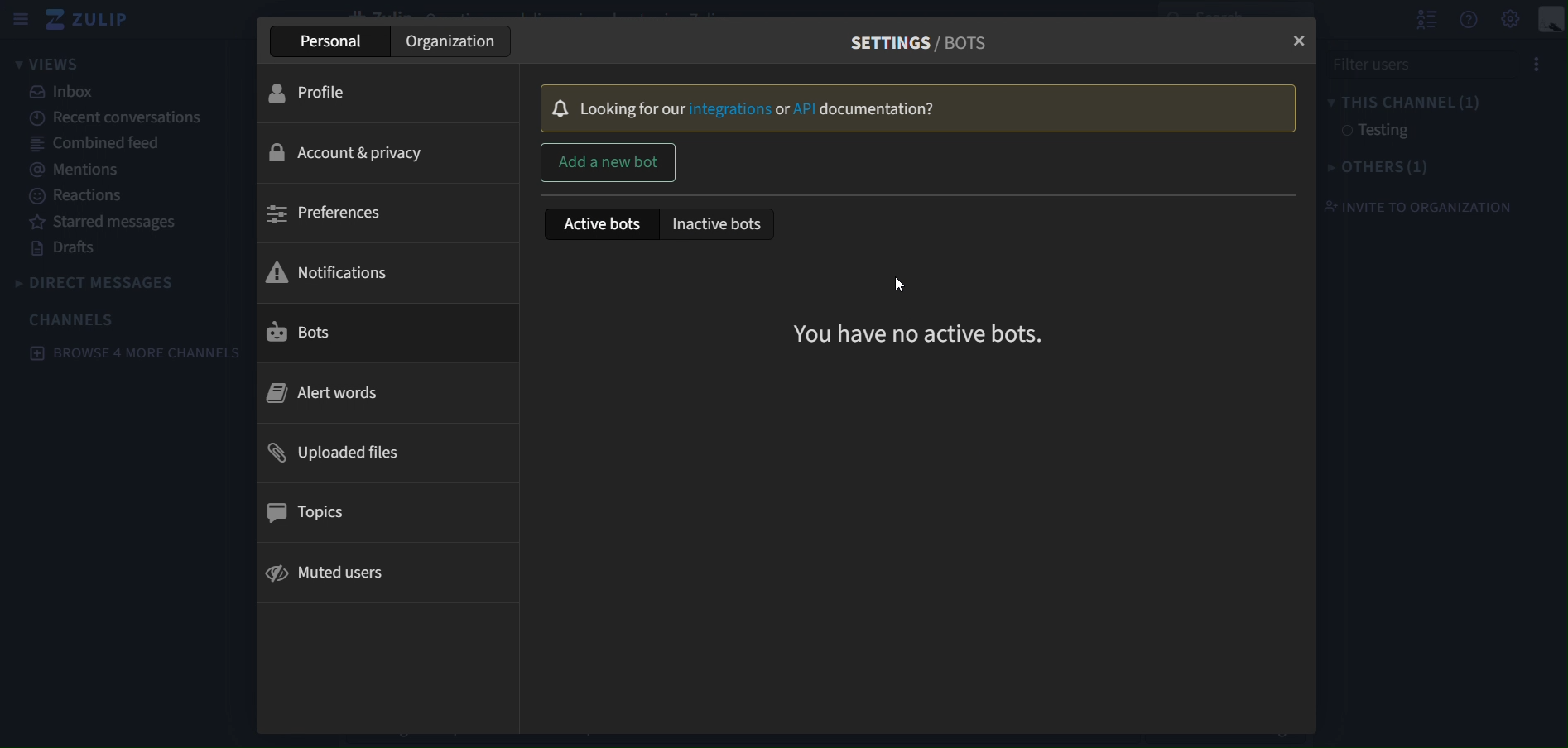 The width and height of the screenshot is (1568, 748). What do you see at coordinates (900, 282) in the screenshot?
I see `cursor` at bounding box center [900, 282].